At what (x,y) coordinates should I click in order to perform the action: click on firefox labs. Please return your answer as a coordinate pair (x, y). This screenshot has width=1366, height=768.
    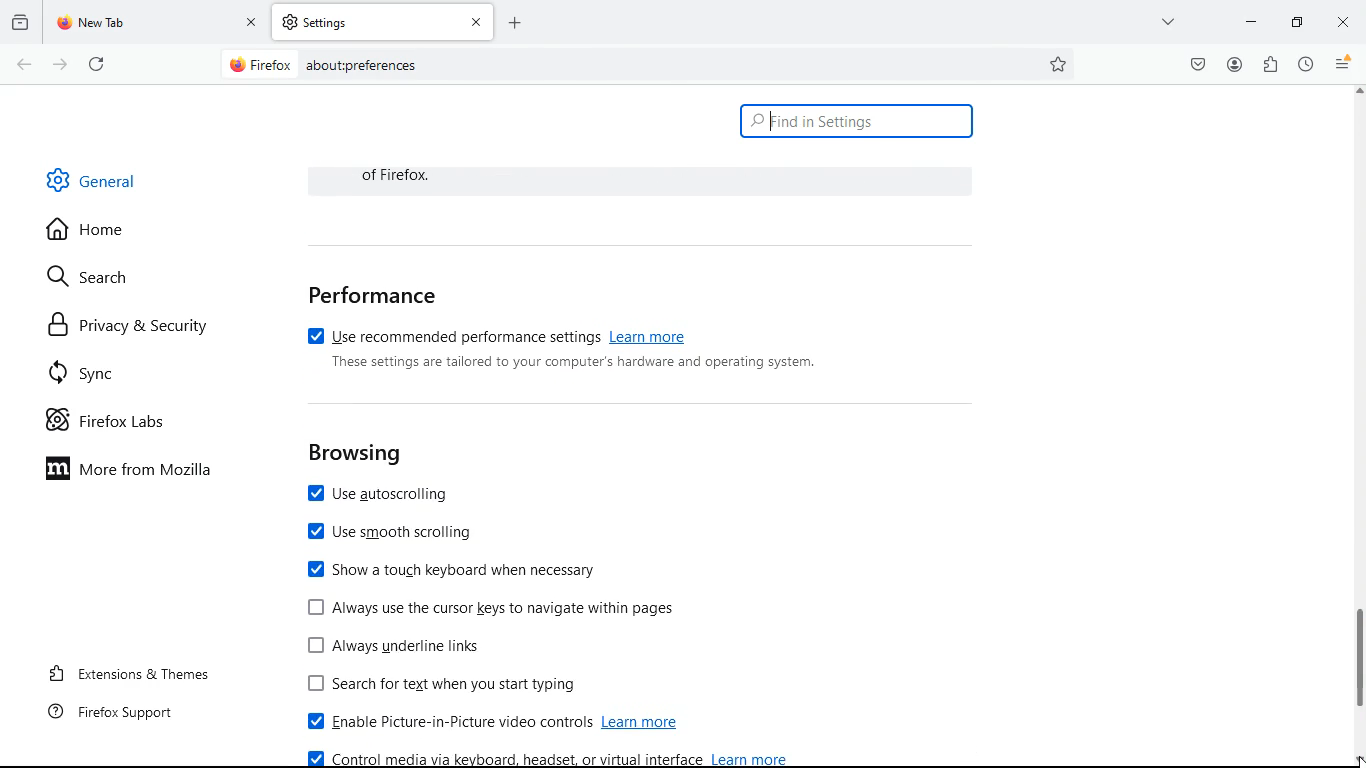
    Looking at the image, I should click on (114, 423).